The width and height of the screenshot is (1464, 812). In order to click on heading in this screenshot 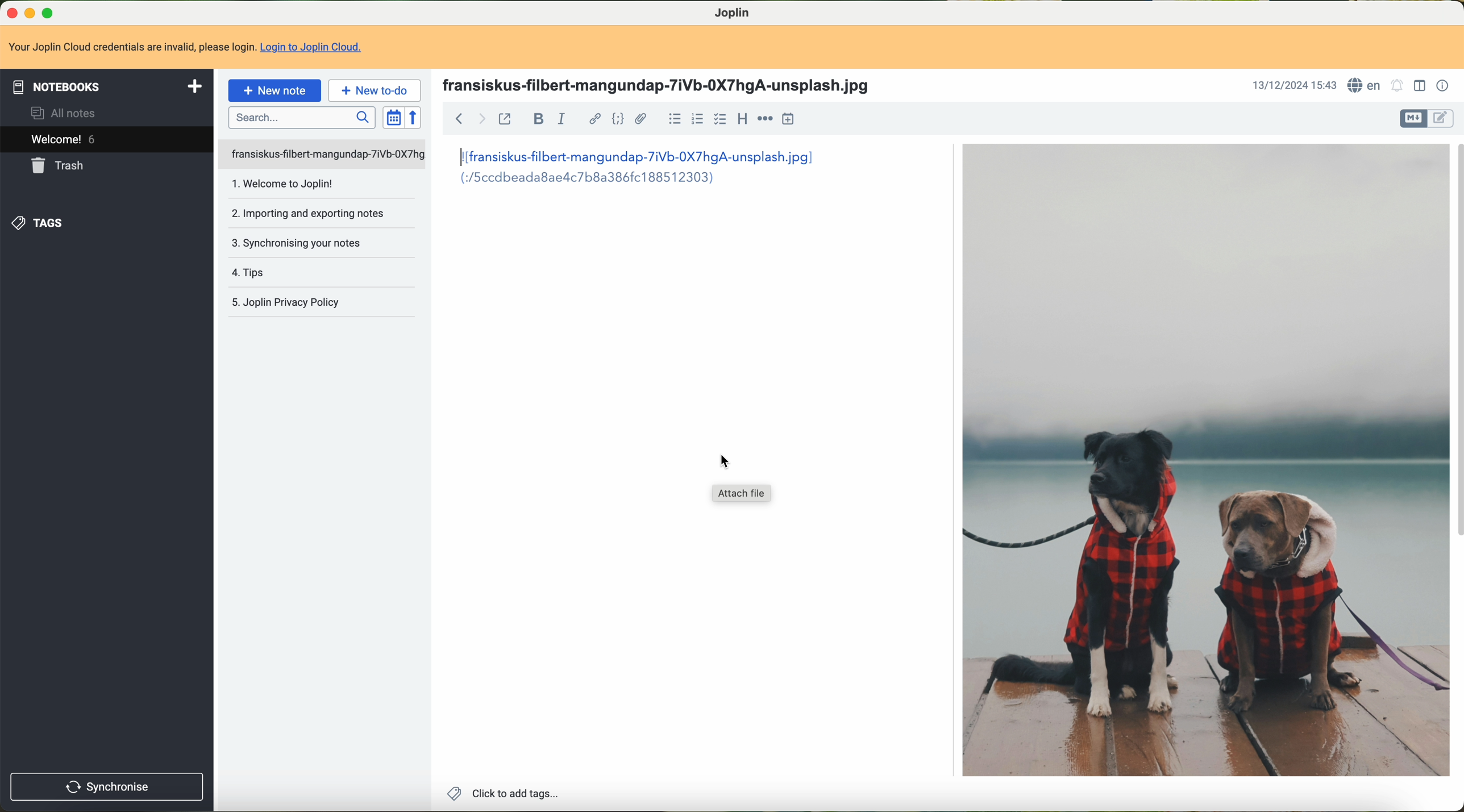, I will do `click(743, 120)`.